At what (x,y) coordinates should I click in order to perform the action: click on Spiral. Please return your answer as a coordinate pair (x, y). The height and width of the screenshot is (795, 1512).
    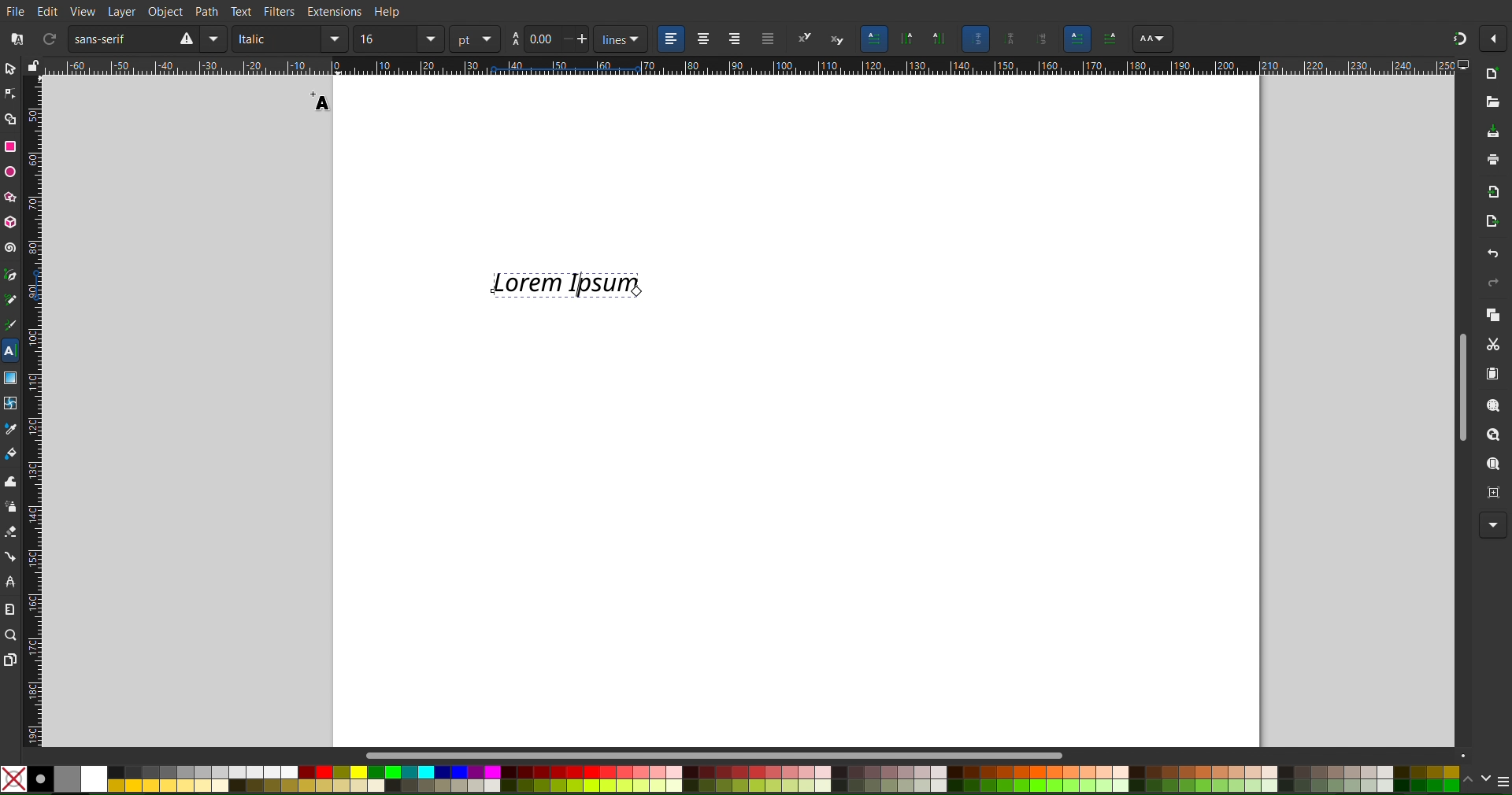
    Looking at the image, I should click on (11, 248).